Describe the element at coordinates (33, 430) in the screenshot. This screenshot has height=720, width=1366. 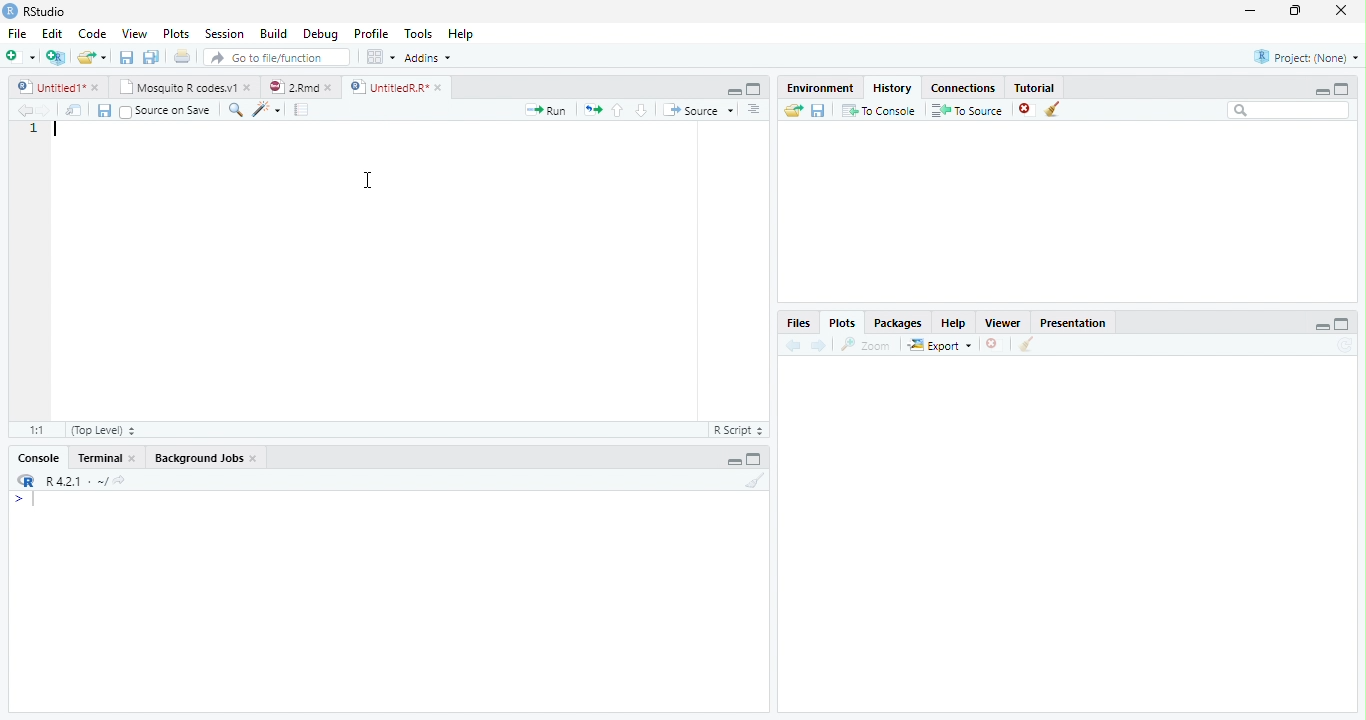
I see `1:1` at that location.